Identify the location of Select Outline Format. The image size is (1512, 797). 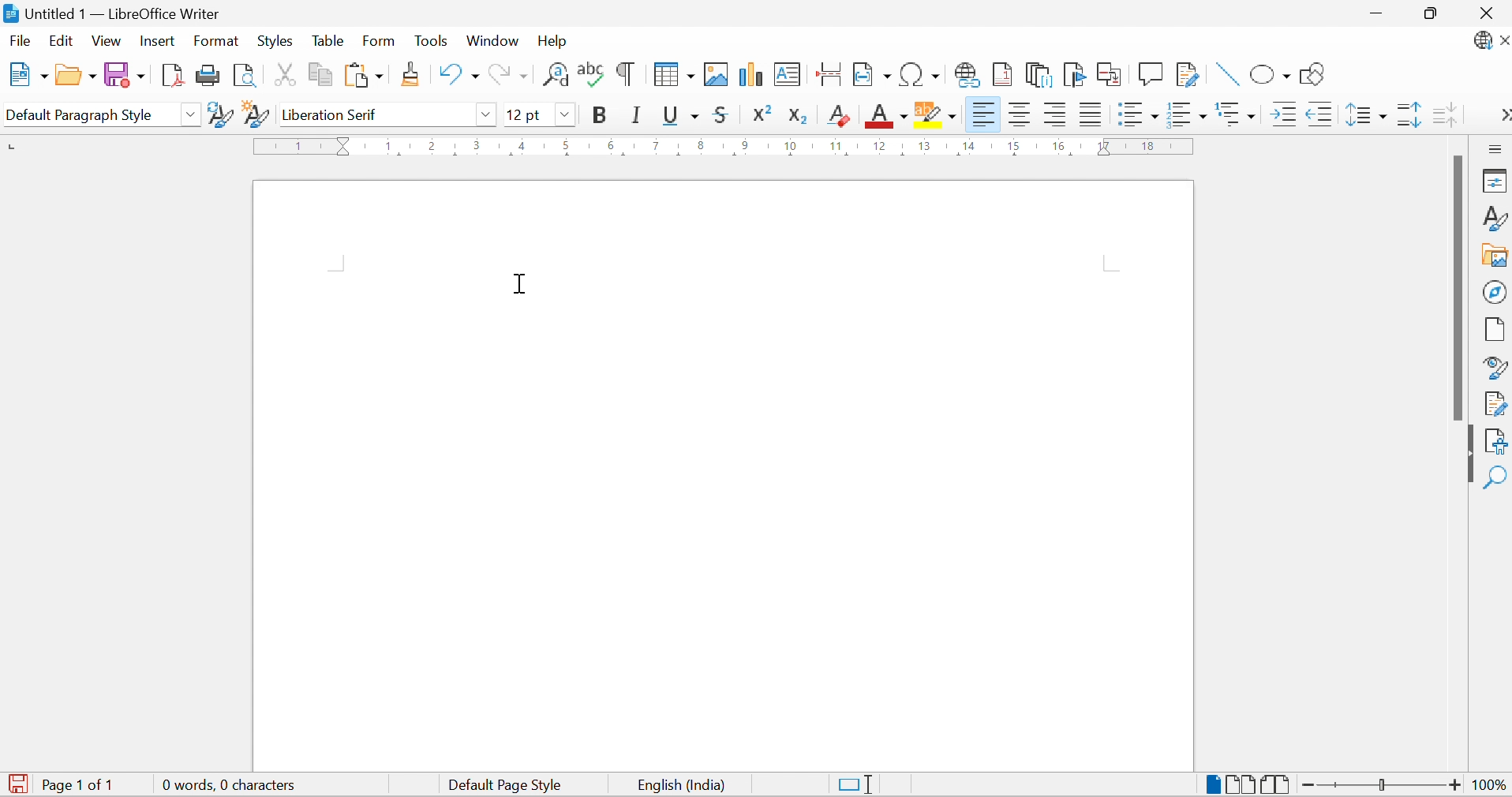
(1236, 112).